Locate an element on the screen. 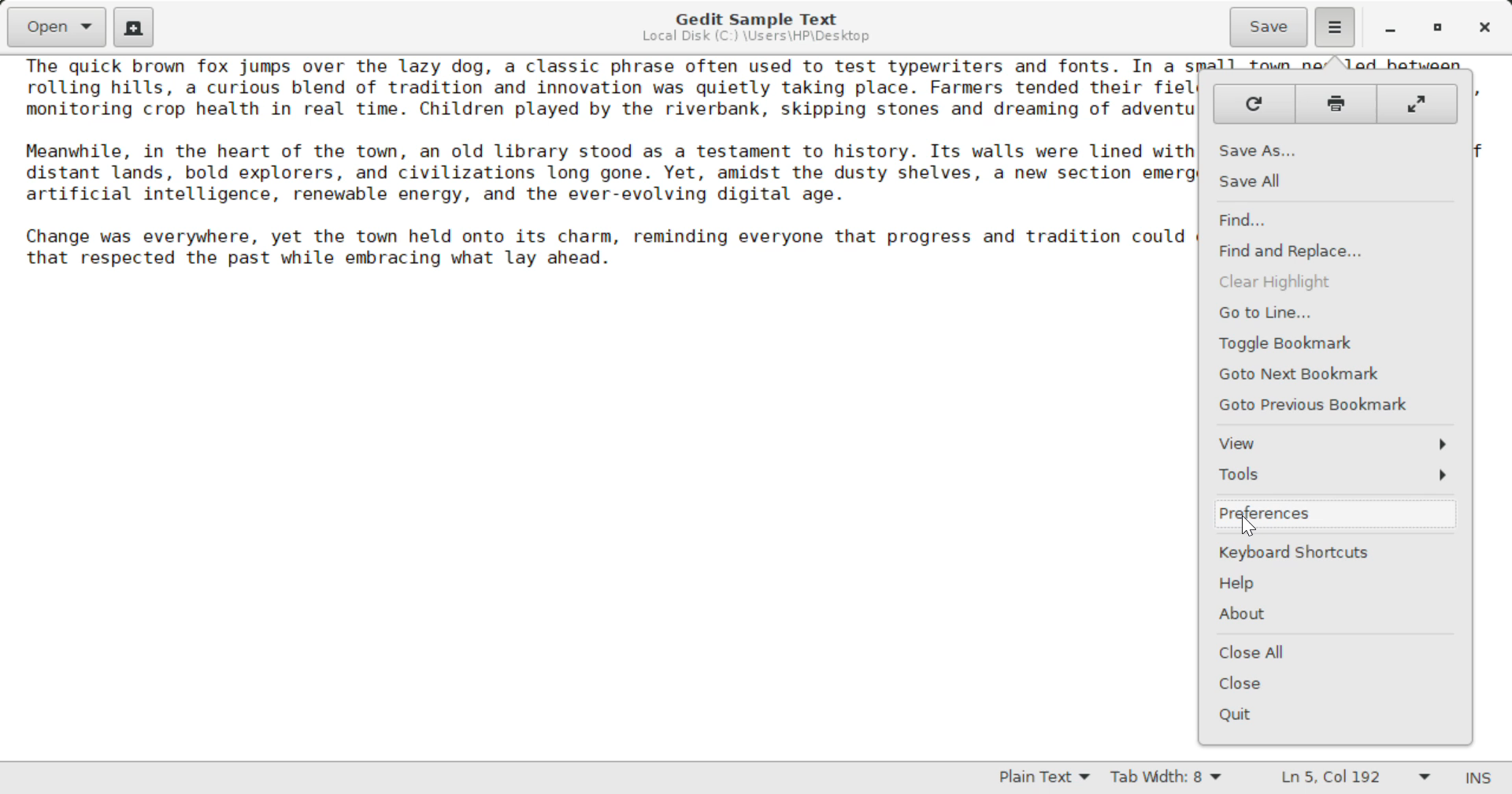 The height and width of the screenshot is (794, 1512). Go to line is located at coordinates (1288, 310).